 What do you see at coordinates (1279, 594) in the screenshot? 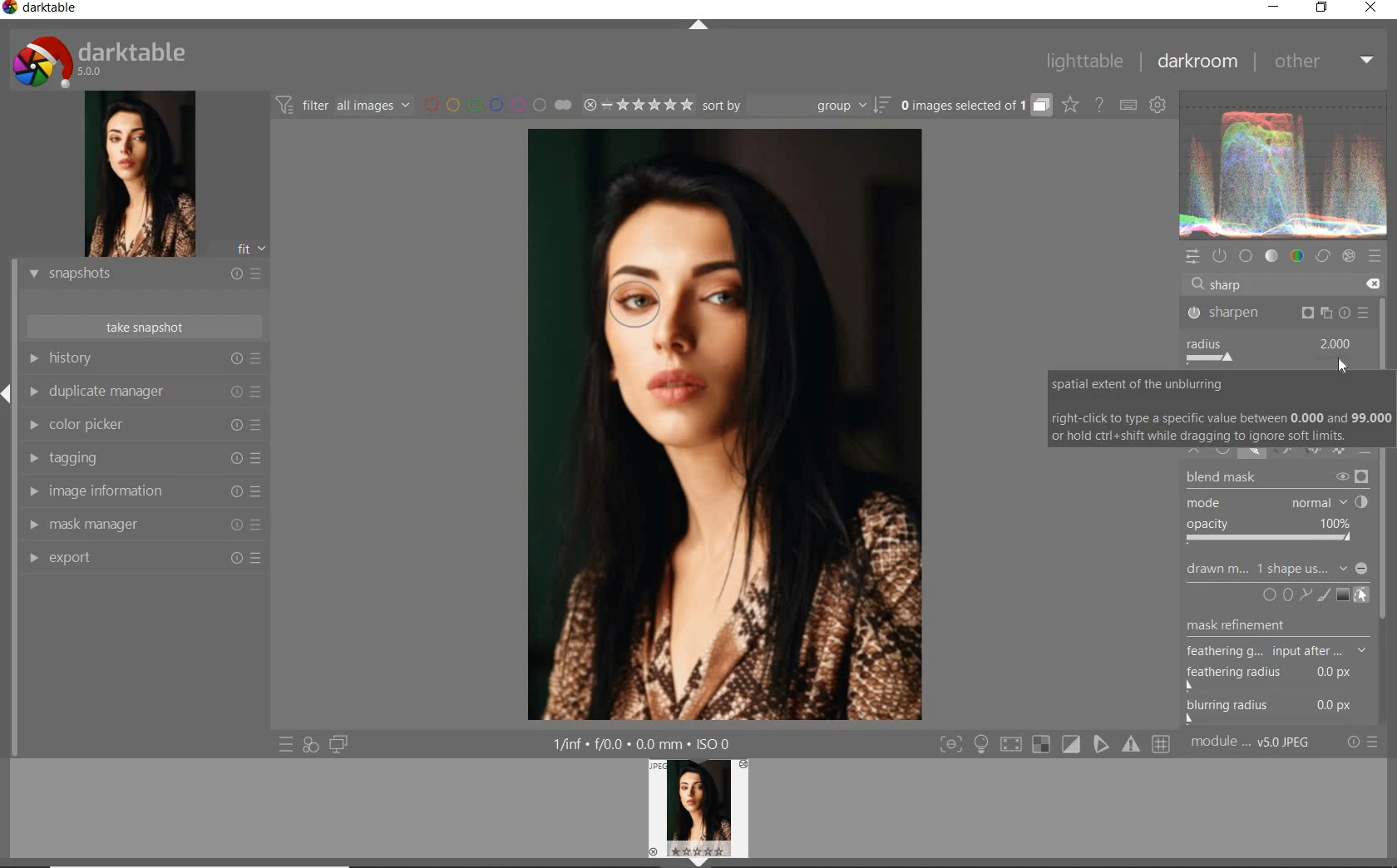
I see `add circle or ellipse` at bounding box center [1279, 594].